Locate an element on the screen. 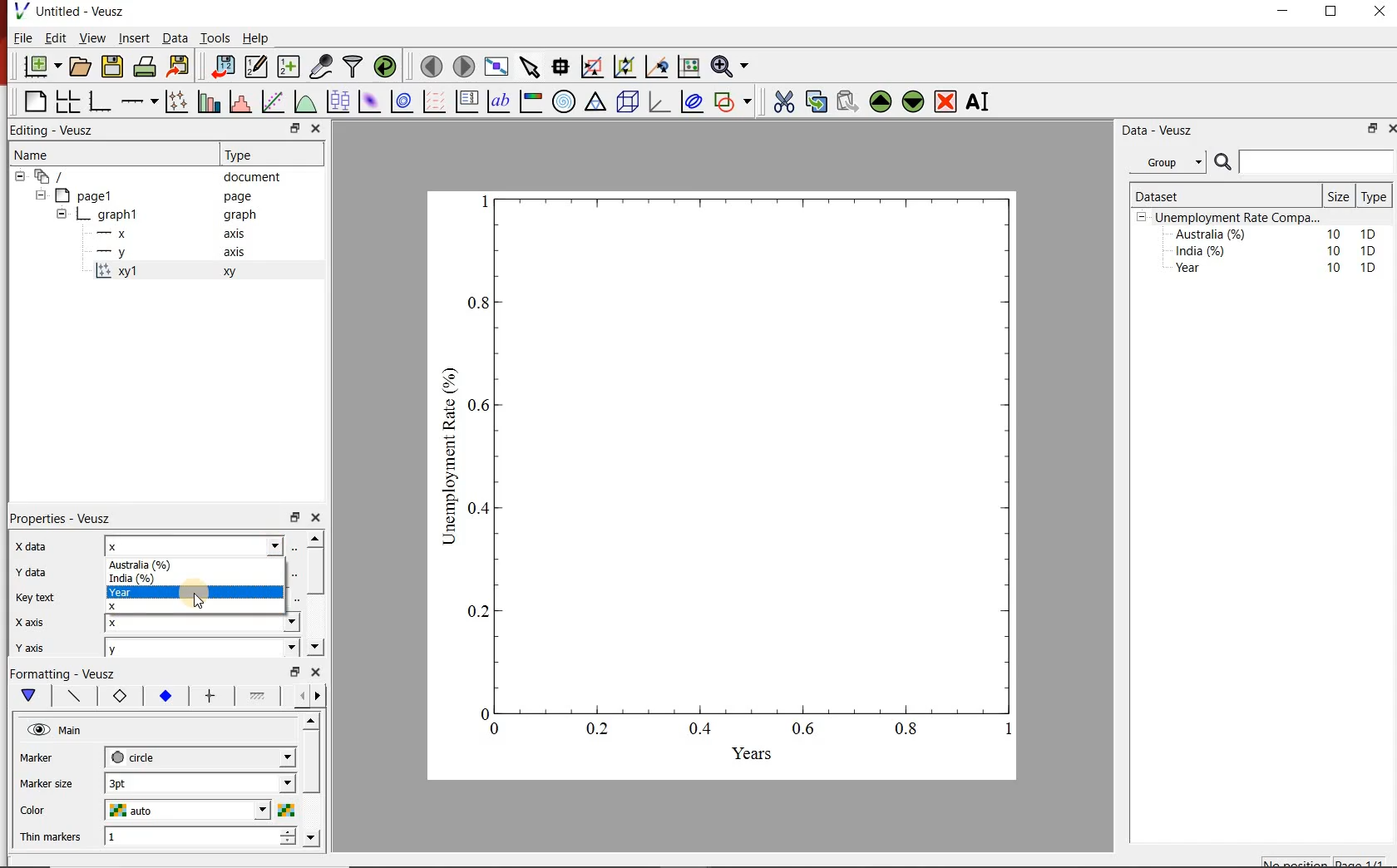 The height and width of the screenshot is (868, 1397). click to resset graph axes is located at coordinates (689, 65).